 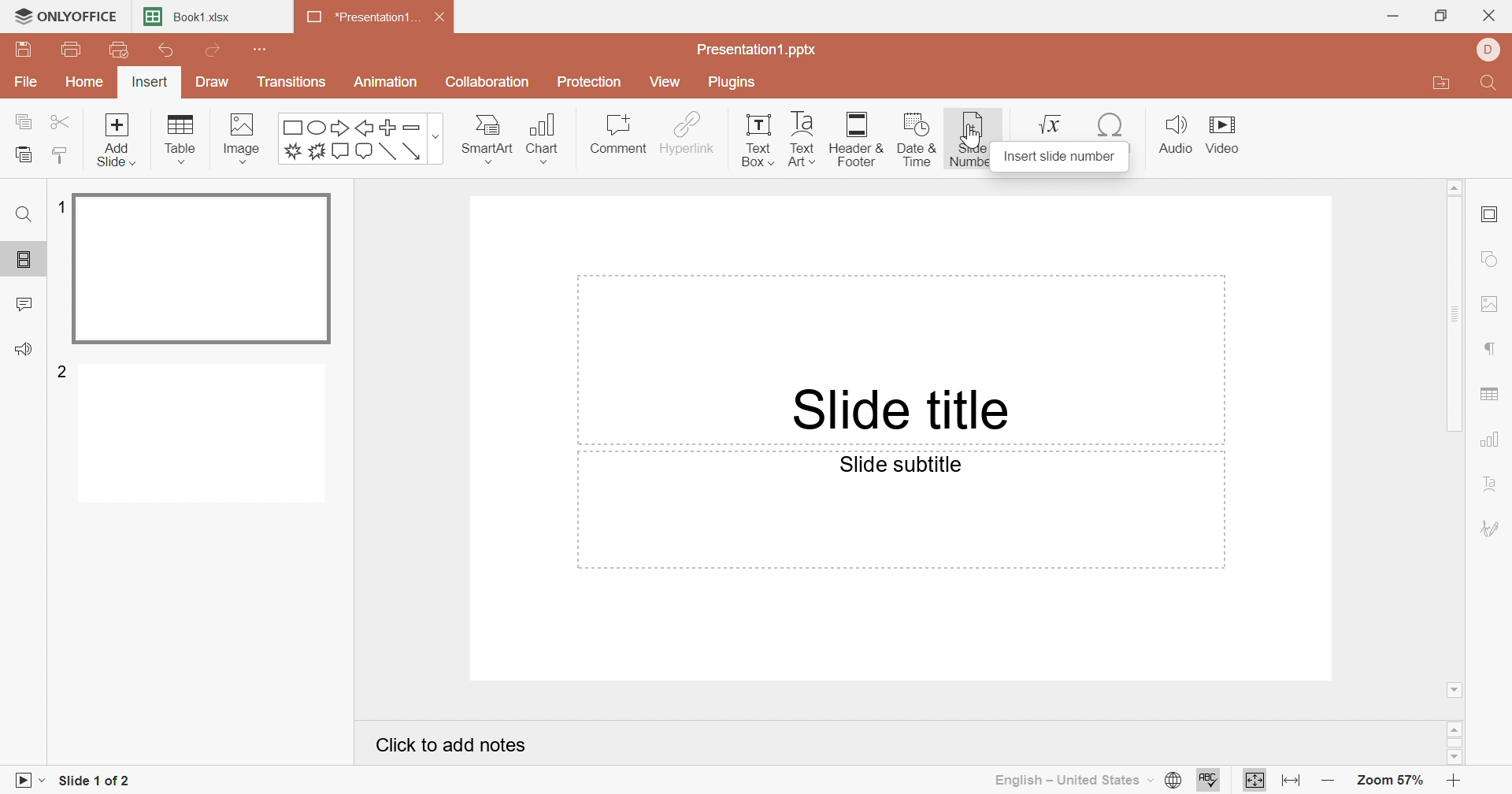 I want to click on Presentation1.pptx, so click(x=758, y=50).